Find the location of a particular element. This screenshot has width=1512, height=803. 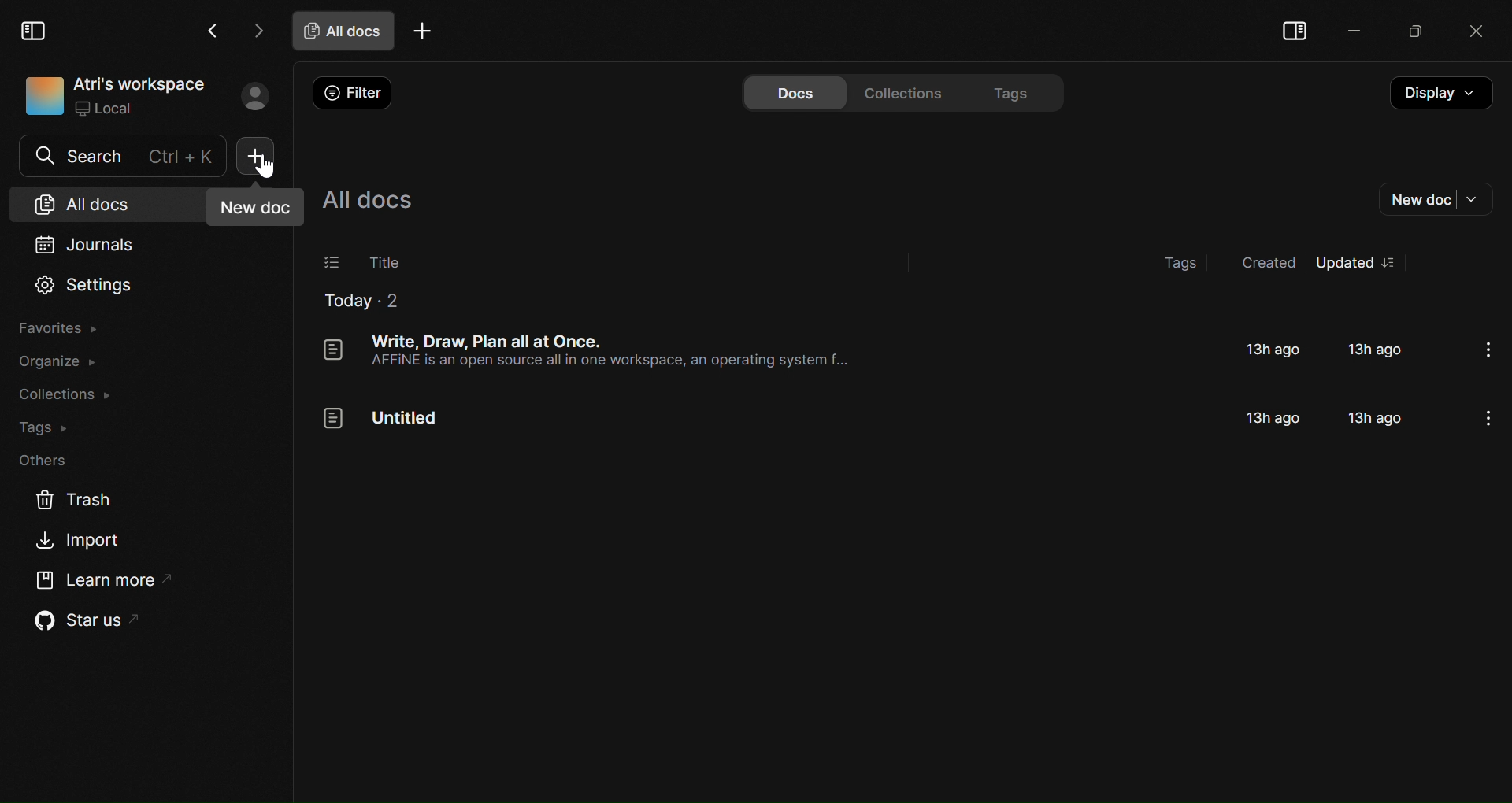

Document titled "Write, Draw, Plan all at once" is located at coordinates (487, 341).